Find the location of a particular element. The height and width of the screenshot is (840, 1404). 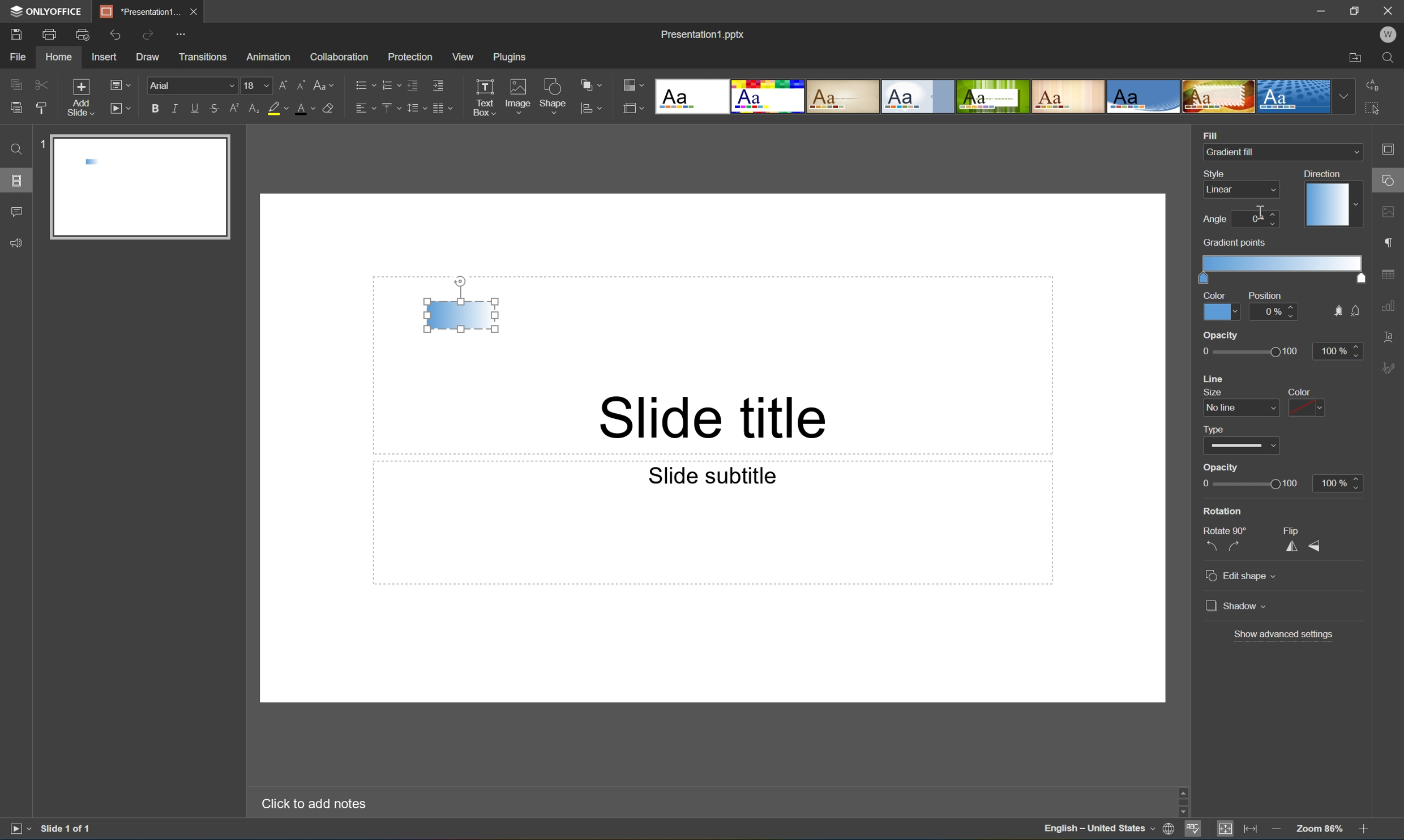

color is located at coordinates (1296, 392).